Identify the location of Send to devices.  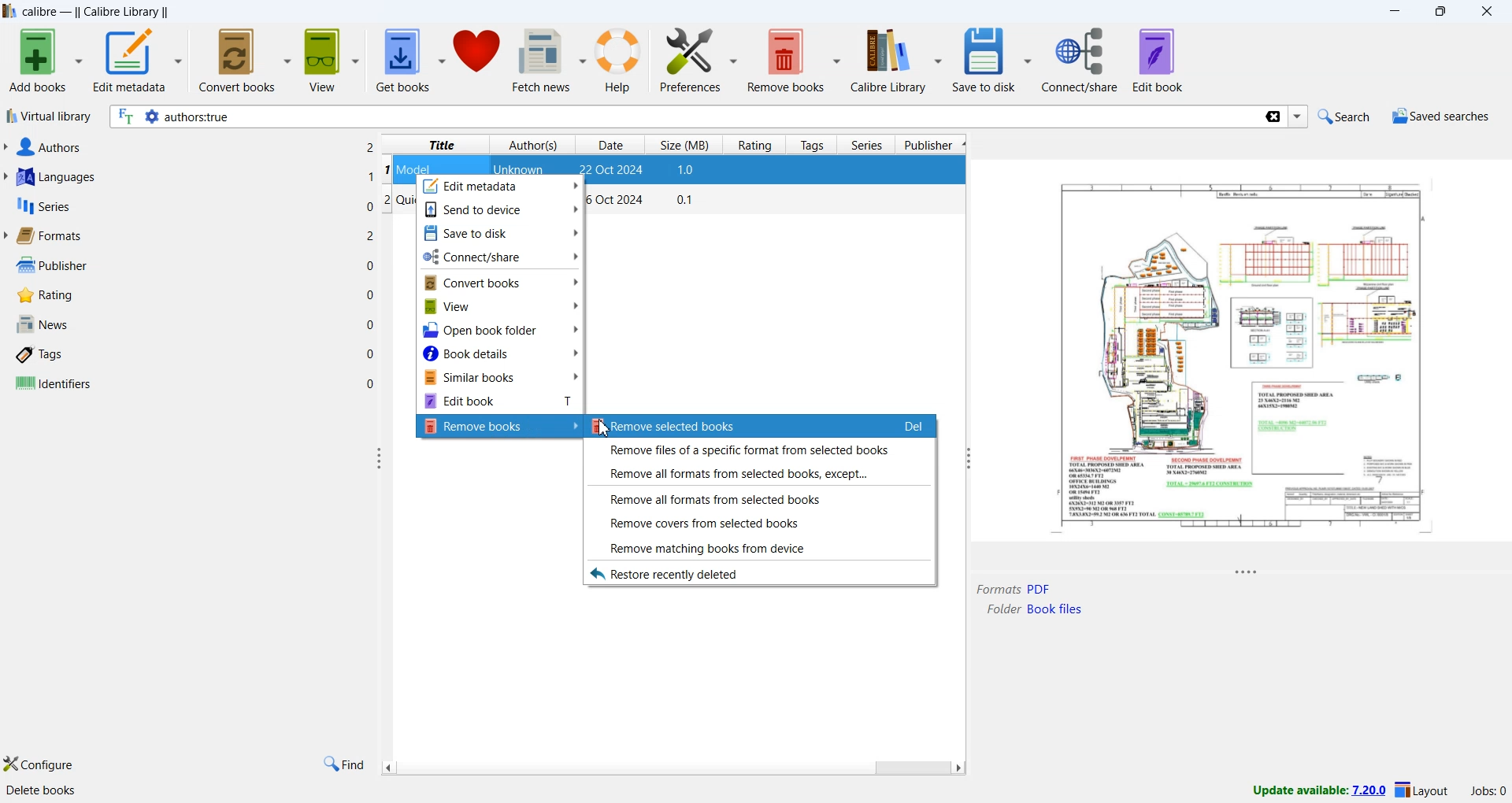
(501, 209).